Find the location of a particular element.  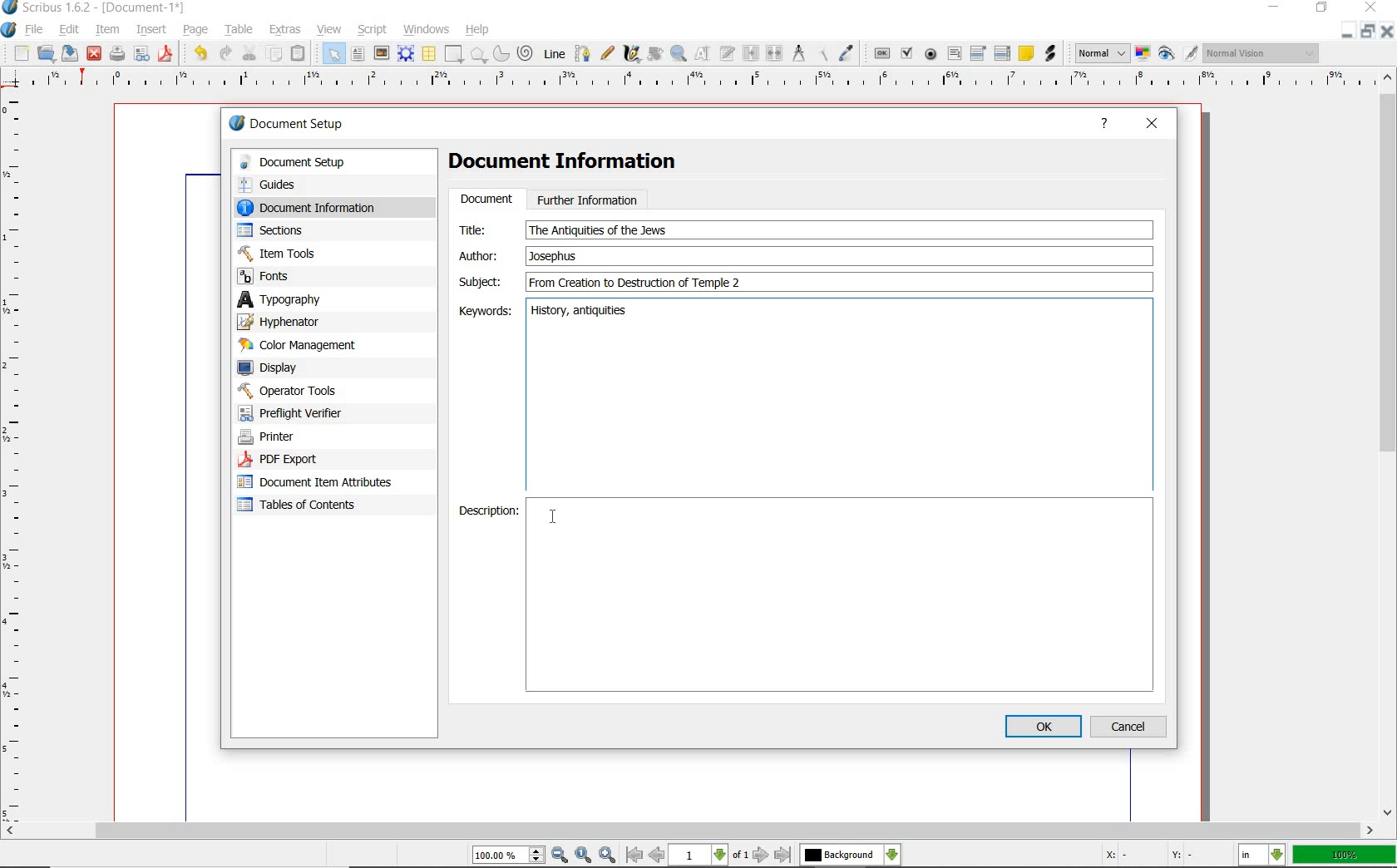

system name is located at coordinates (94, 8).